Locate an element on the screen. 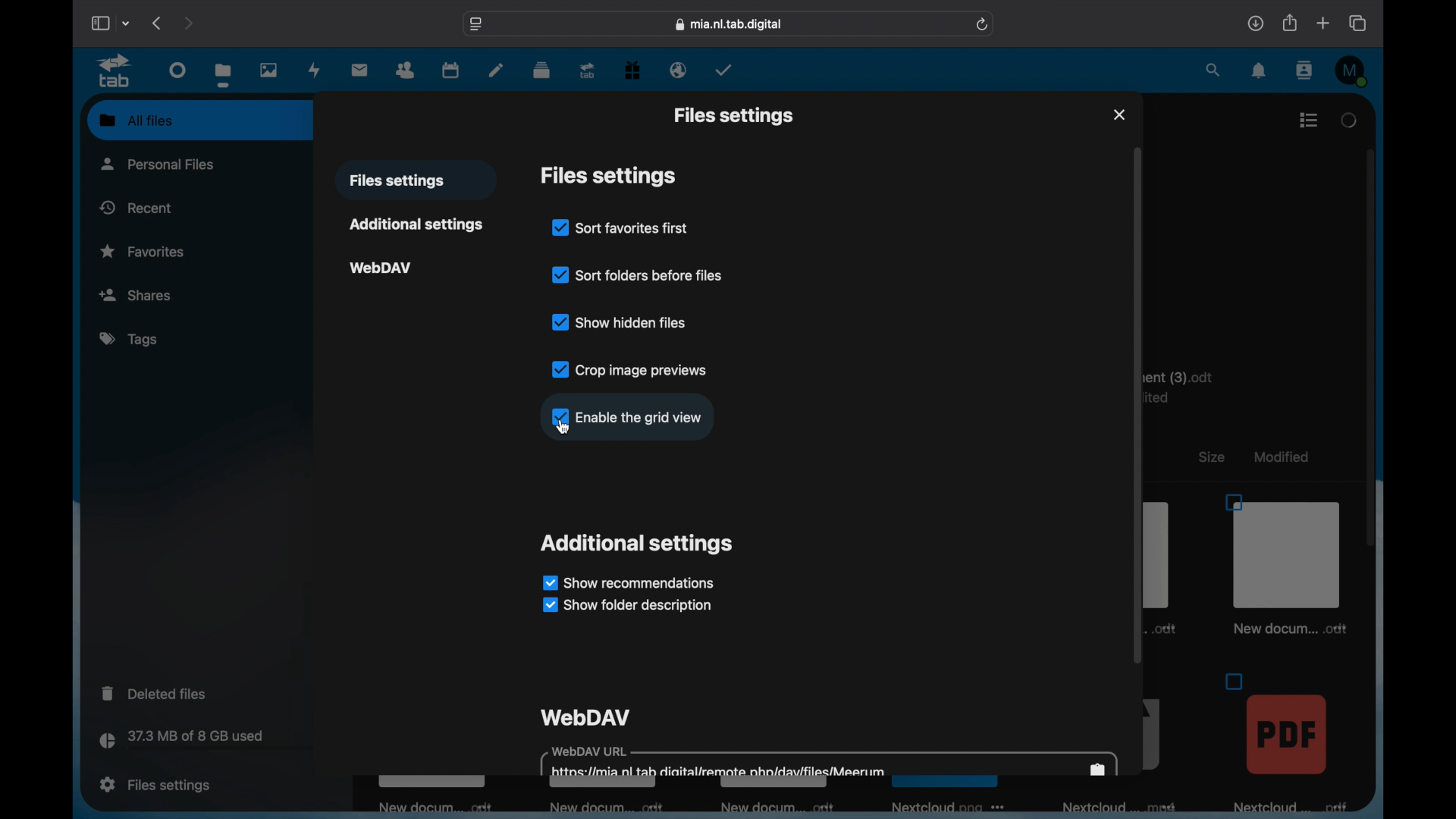 Image resolution: width=1456 pixels, height=819 pixels. deleted files is located at coordinates (155, 692).